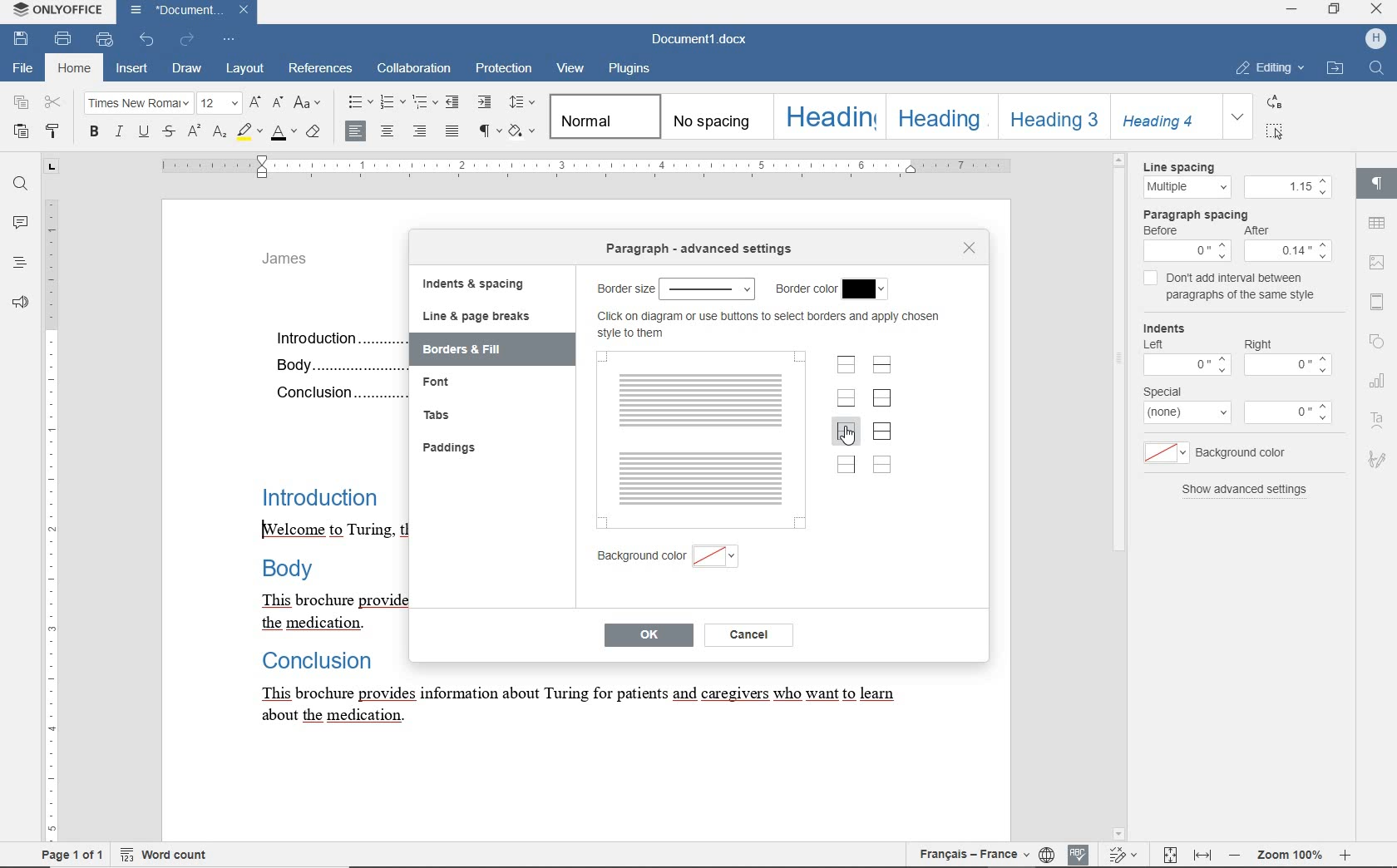  What do you see at coordinates (138, 104) in the screenshot?
I see `font` at bounding box center [138, 104].